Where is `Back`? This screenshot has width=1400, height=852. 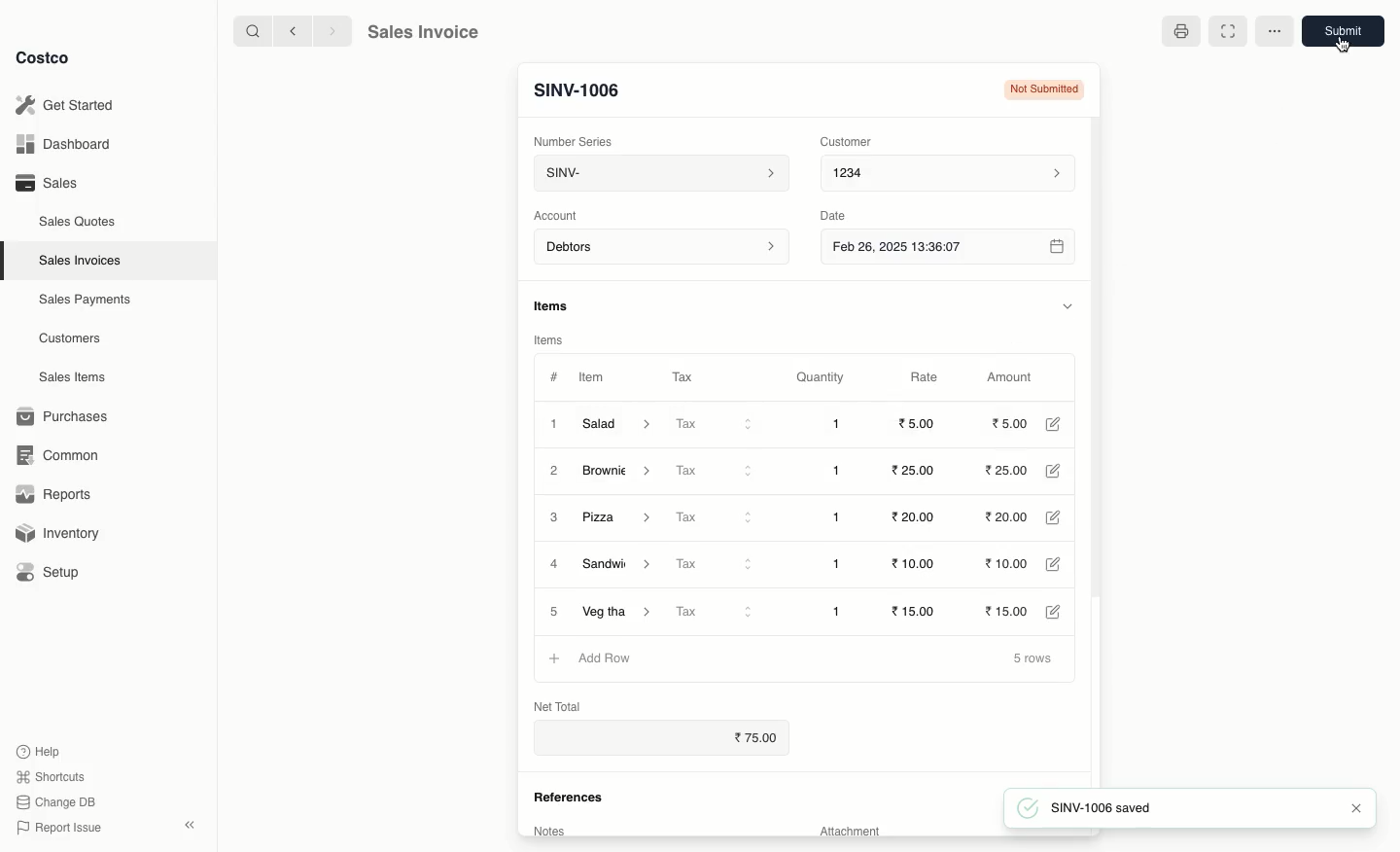 Back is located at coordinates (291, 31).